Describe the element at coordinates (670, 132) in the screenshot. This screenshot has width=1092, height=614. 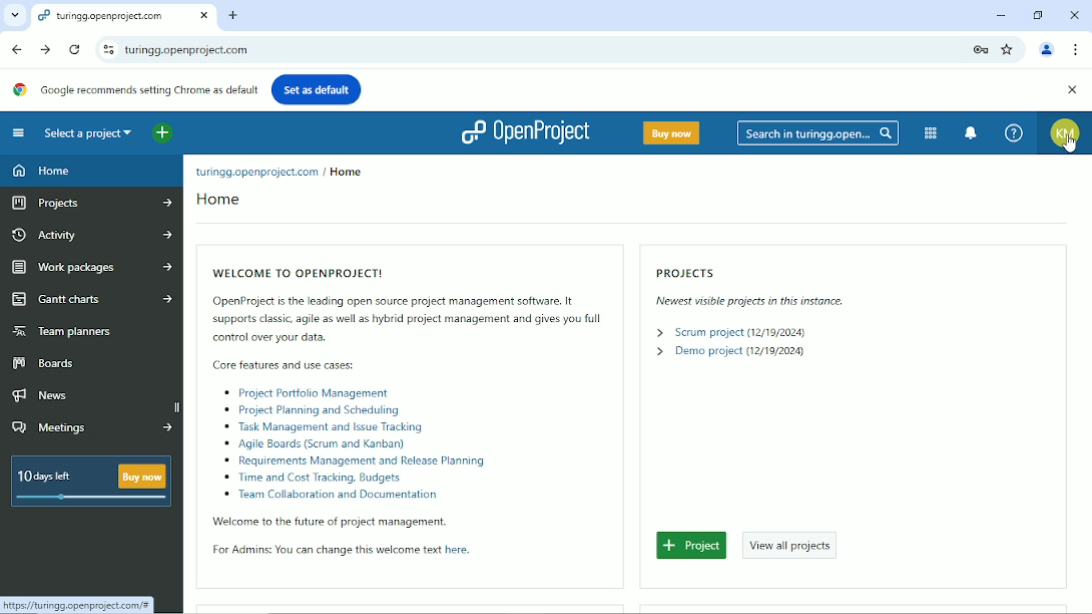
I see `Buy now` at that location.